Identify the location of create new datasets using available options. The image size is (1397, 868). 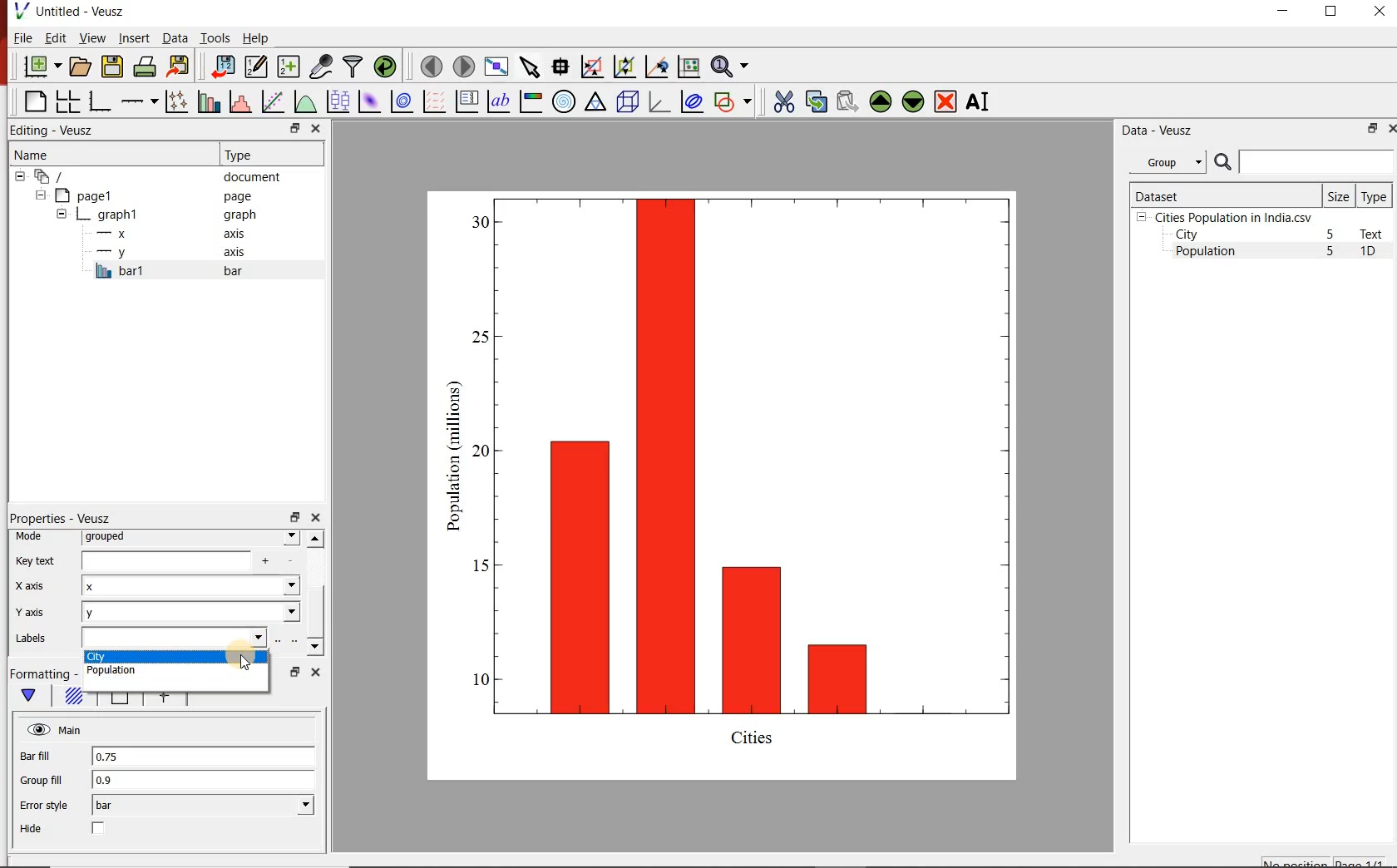
(286, 67).